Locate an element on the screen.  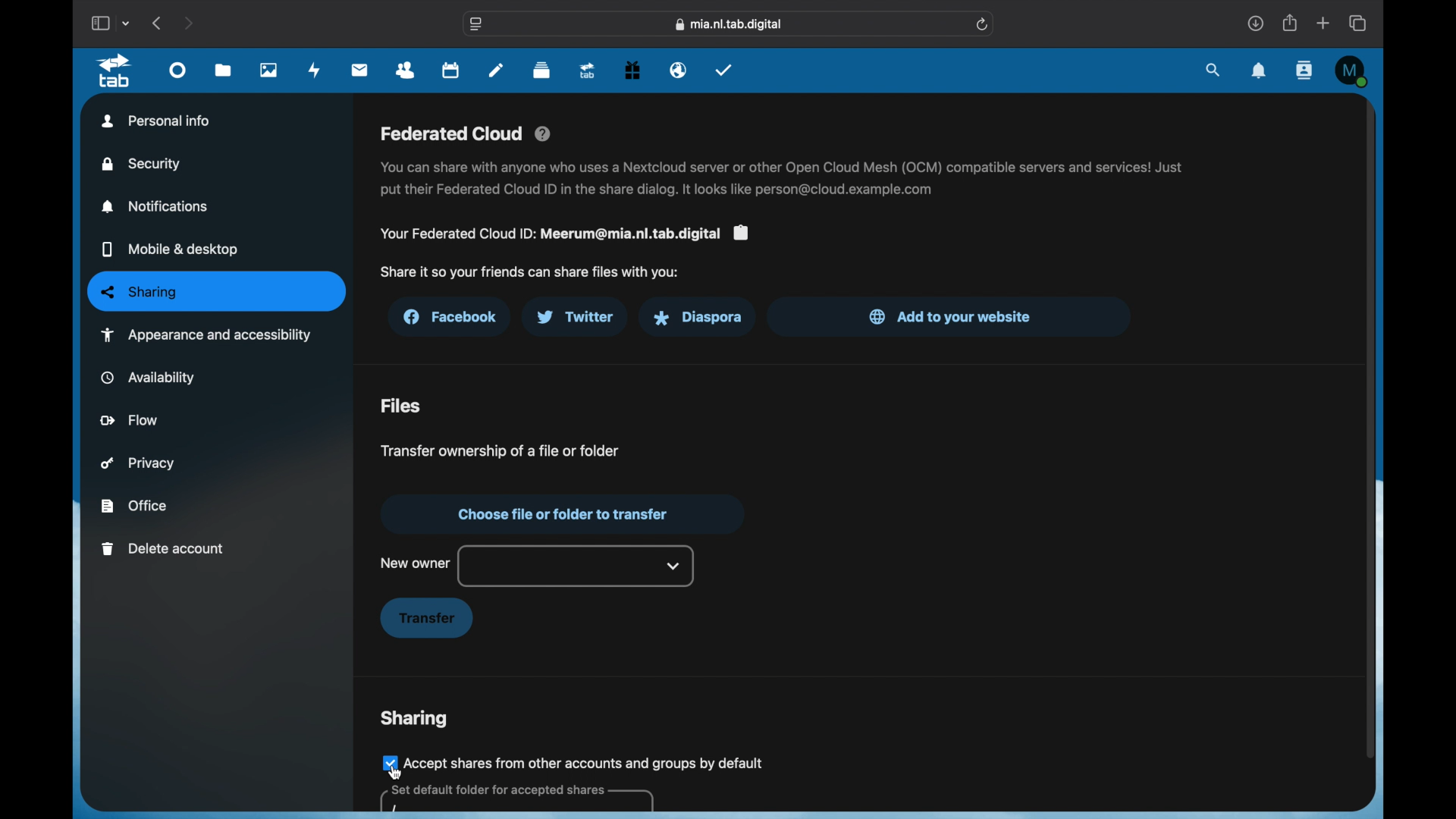
share is located at coordinates (1291, 23).